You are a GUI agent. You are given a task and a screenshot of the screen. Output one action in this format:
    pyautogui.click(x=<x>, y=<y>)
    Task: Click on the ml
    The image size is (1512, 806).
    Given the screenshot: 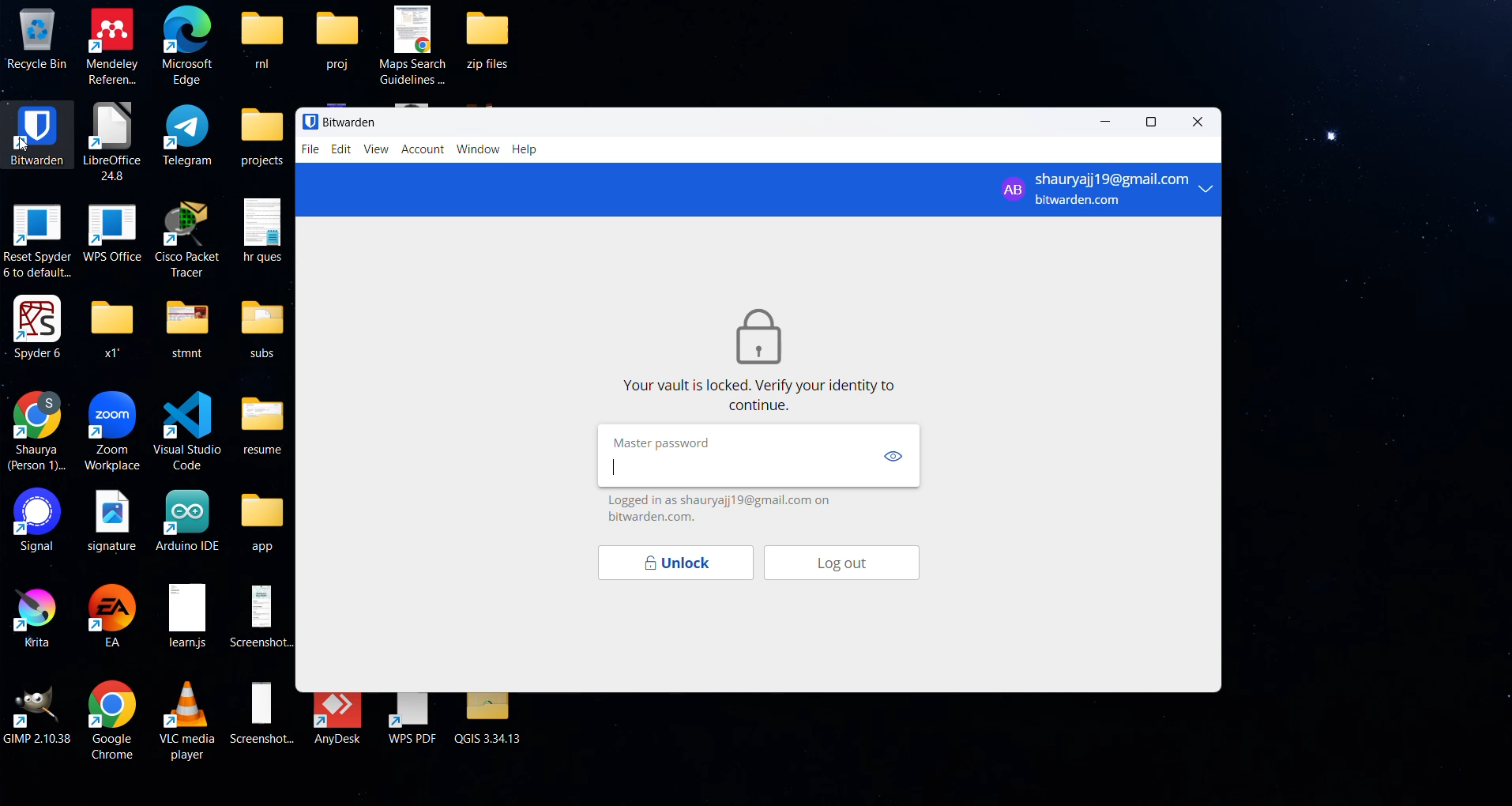 What is the action you would take?
    pyautogui.click(x=261, y=38)
    